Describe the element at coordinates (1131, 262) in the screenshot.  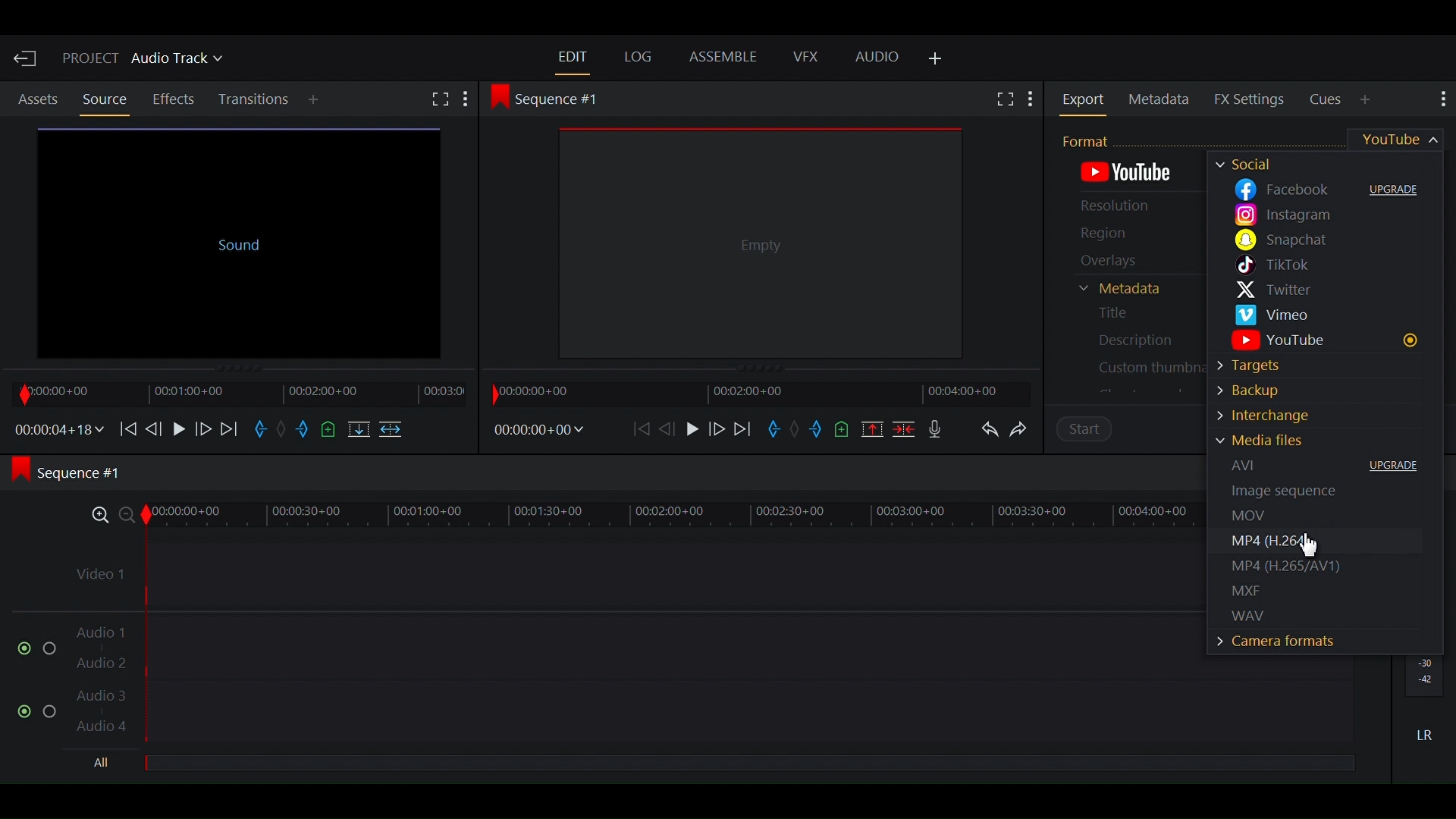
I see `Overlays` at that location.